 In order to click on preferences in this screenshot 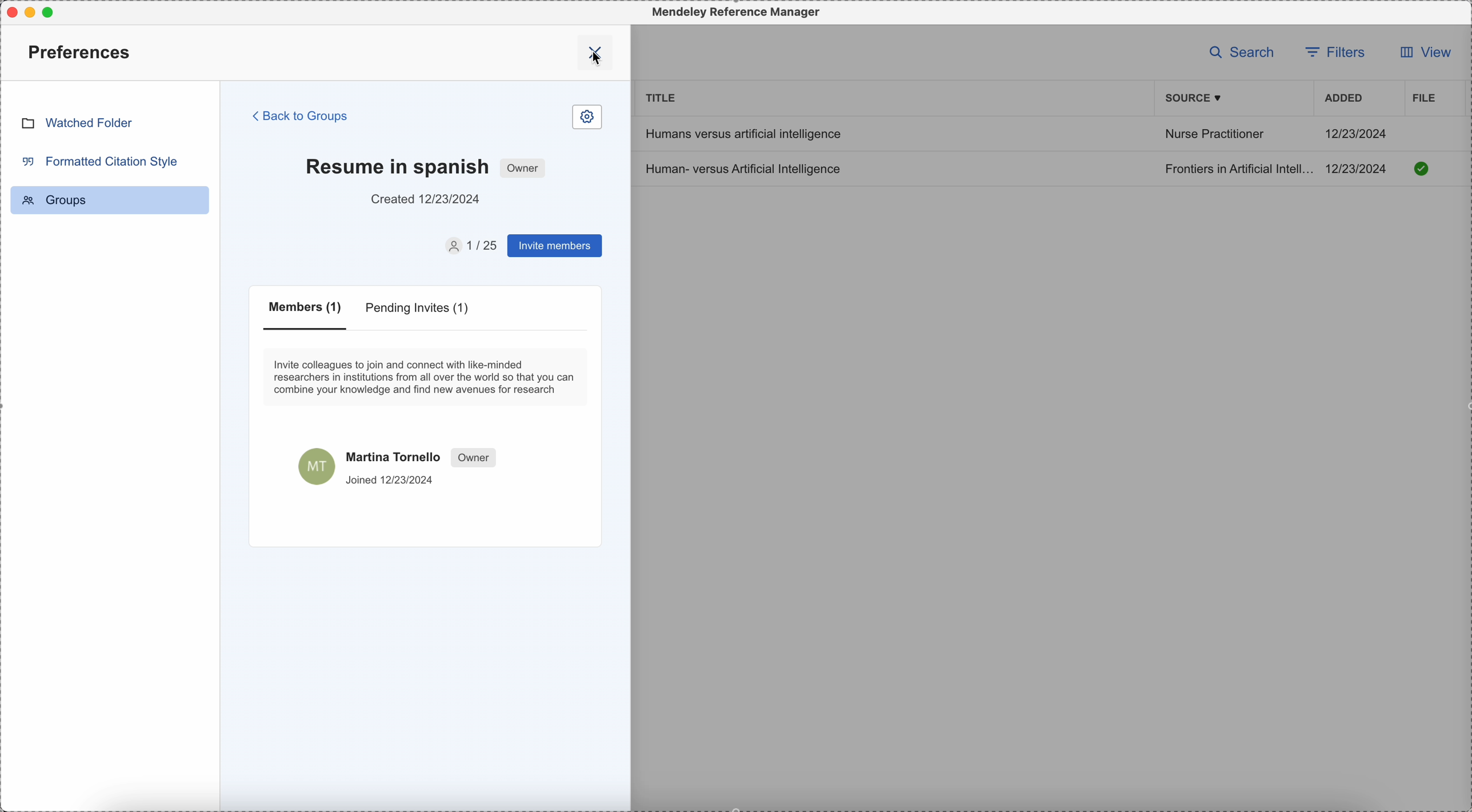, I will do `click(82, 51)`.